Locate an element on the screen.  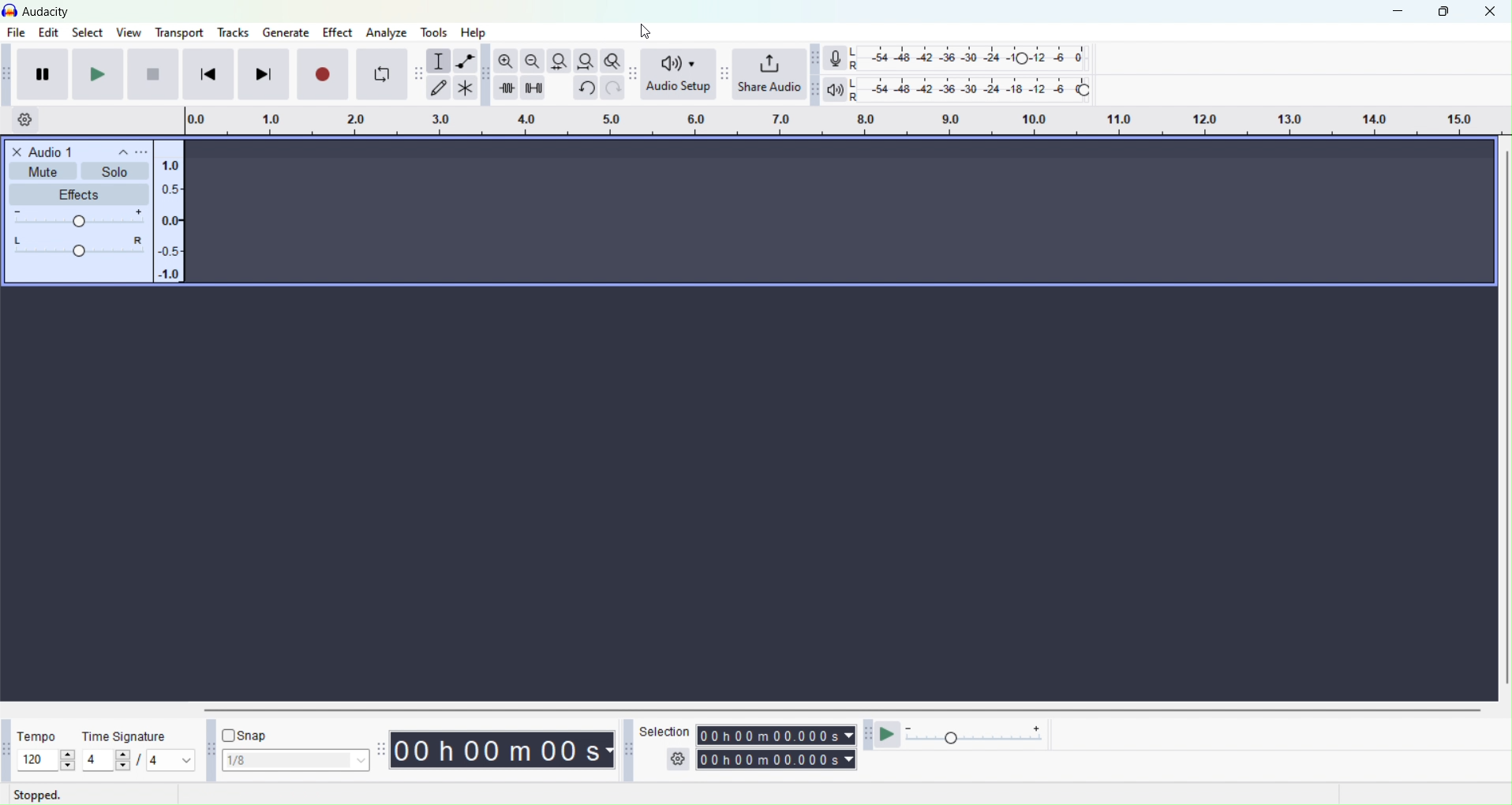
Playback level is located at coordinates (969, 89).